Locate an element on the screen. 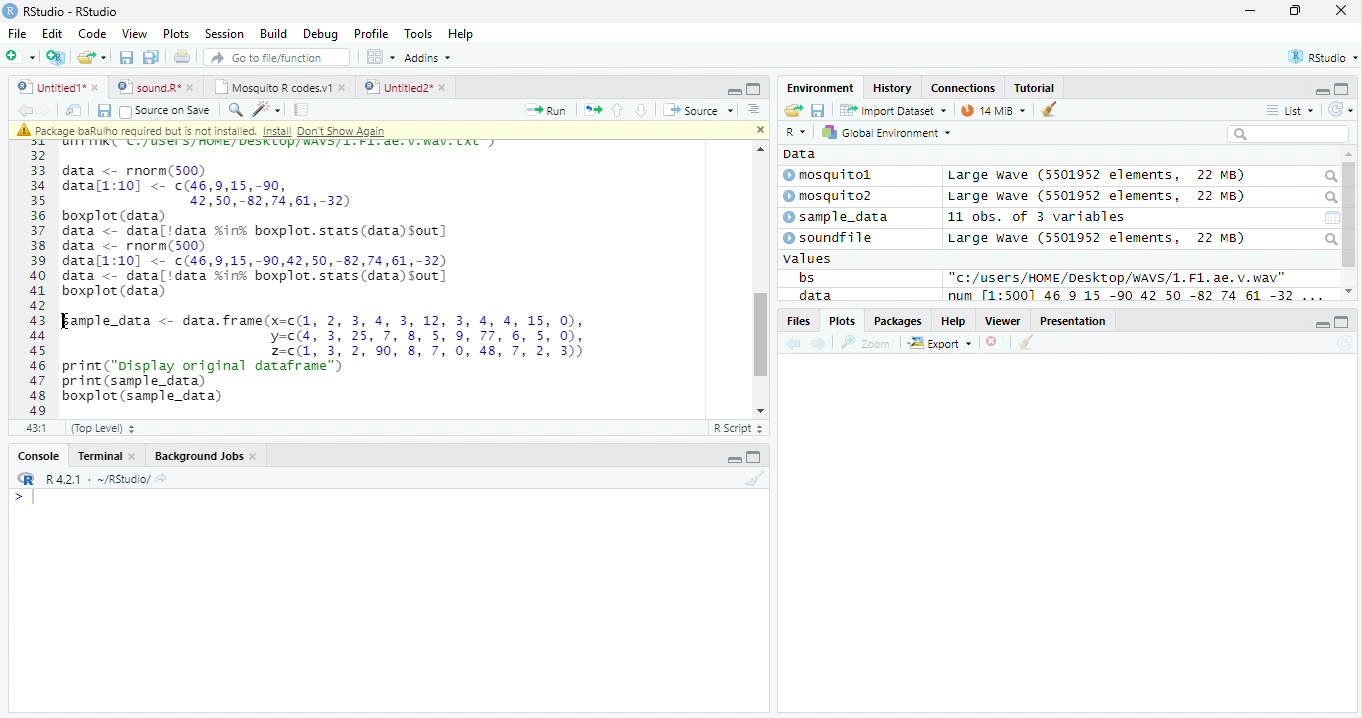 This screenshot has width=1362, height=718. RStudio is located at coordinates (1321, 56).